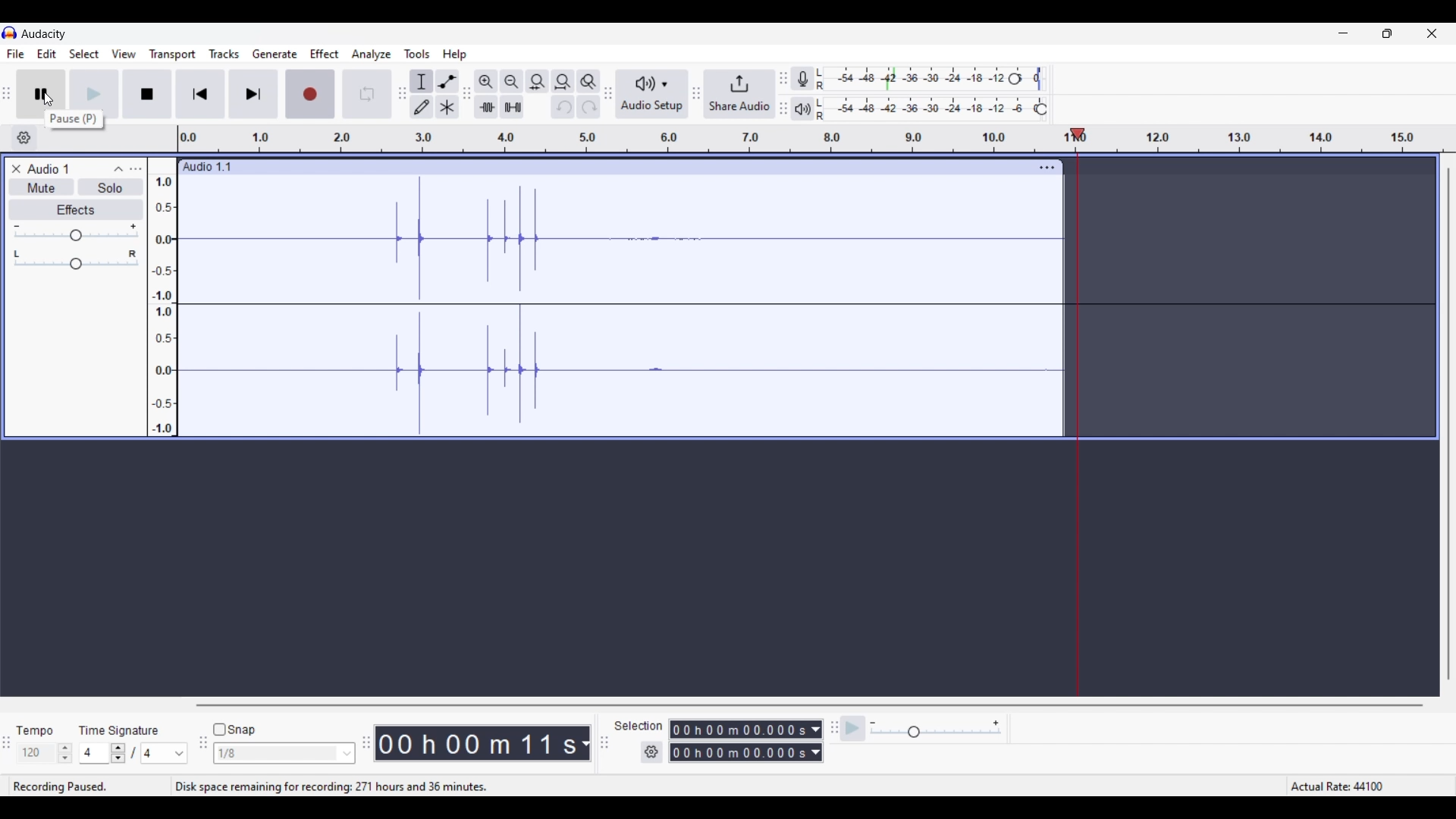 Image resolution: width=1456 pixels, height=819 pixels. What do you see at coordinates (369, 89) in the screenshot?
I see `Enable looping` at bounding box center [369, 89].